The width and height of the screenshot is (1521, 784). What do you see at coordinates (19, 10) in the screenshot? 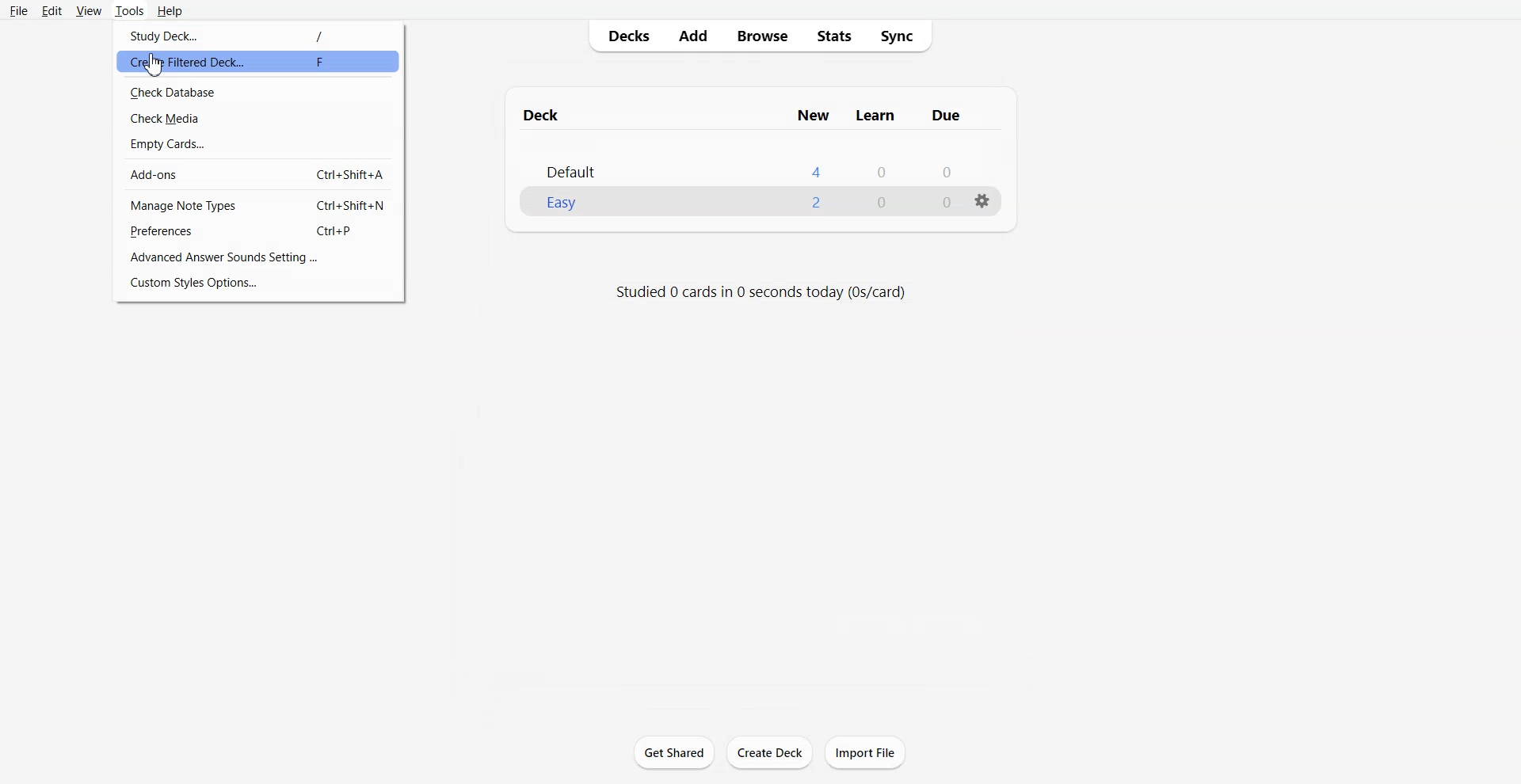
I see `File` at bounding box center [19, 10].